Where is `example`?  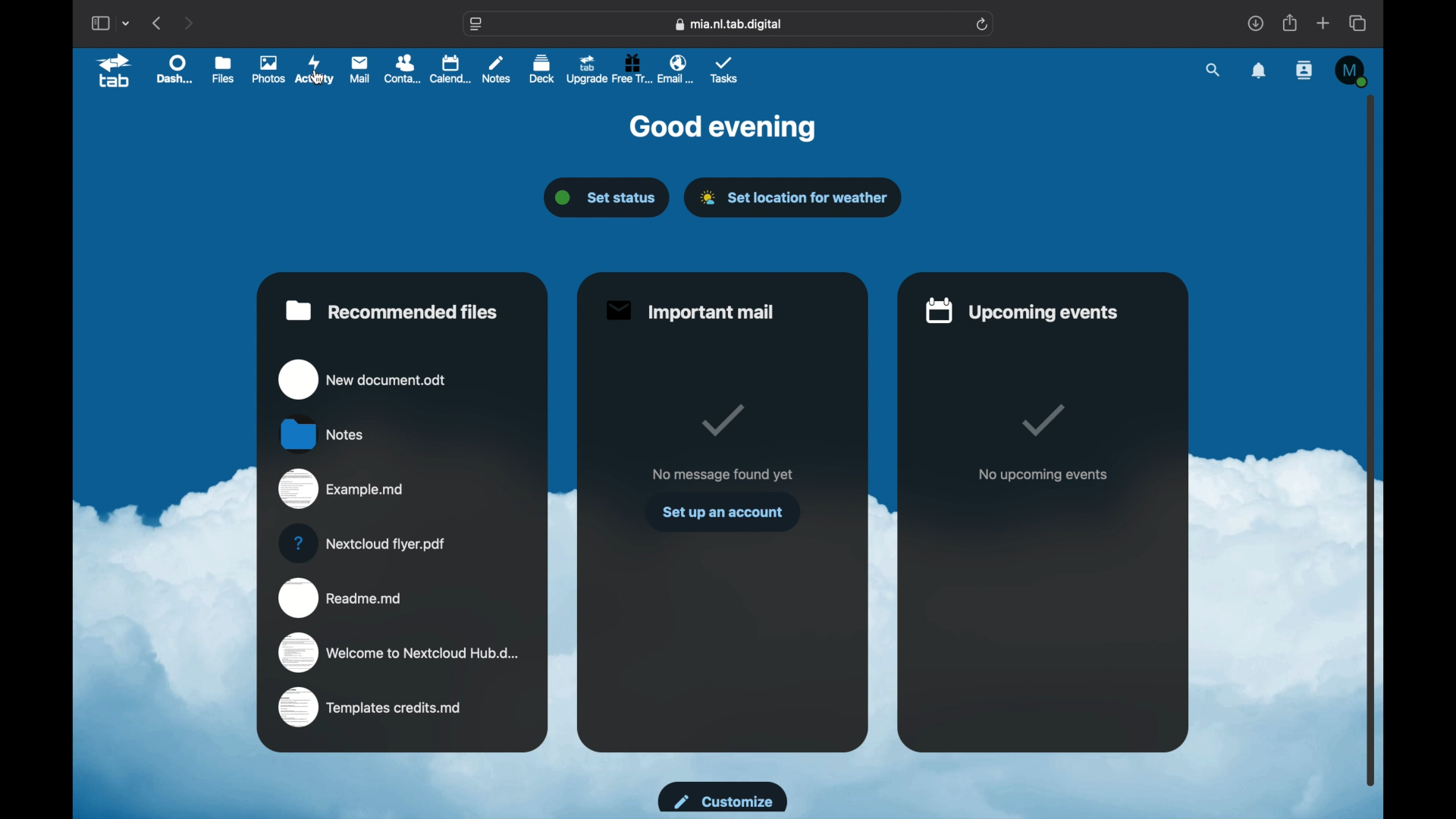 example is located at coordinates (340, 489).